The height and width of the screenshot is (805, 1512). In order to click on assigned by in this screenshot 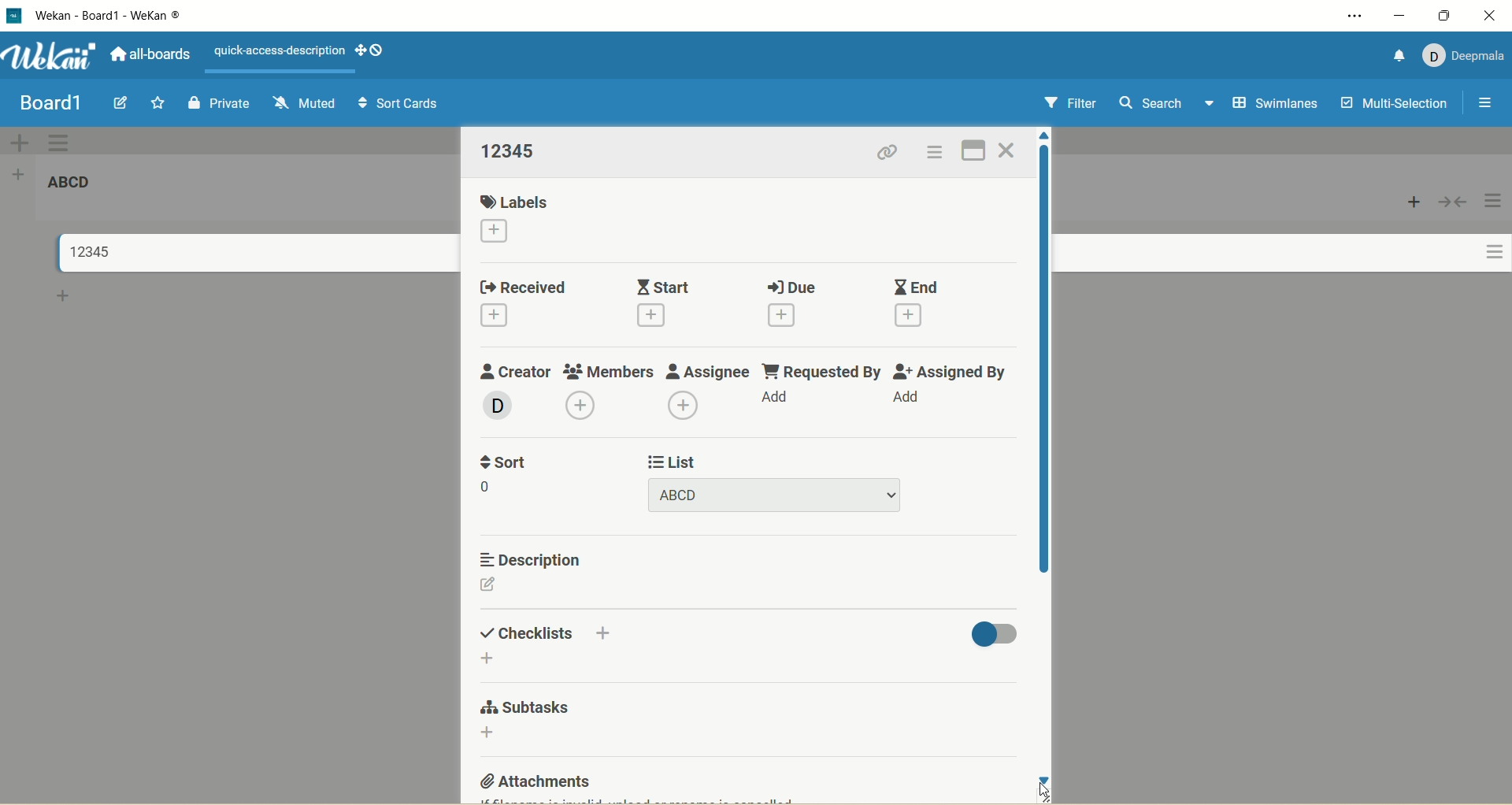, I will do `click(956, 373)`.